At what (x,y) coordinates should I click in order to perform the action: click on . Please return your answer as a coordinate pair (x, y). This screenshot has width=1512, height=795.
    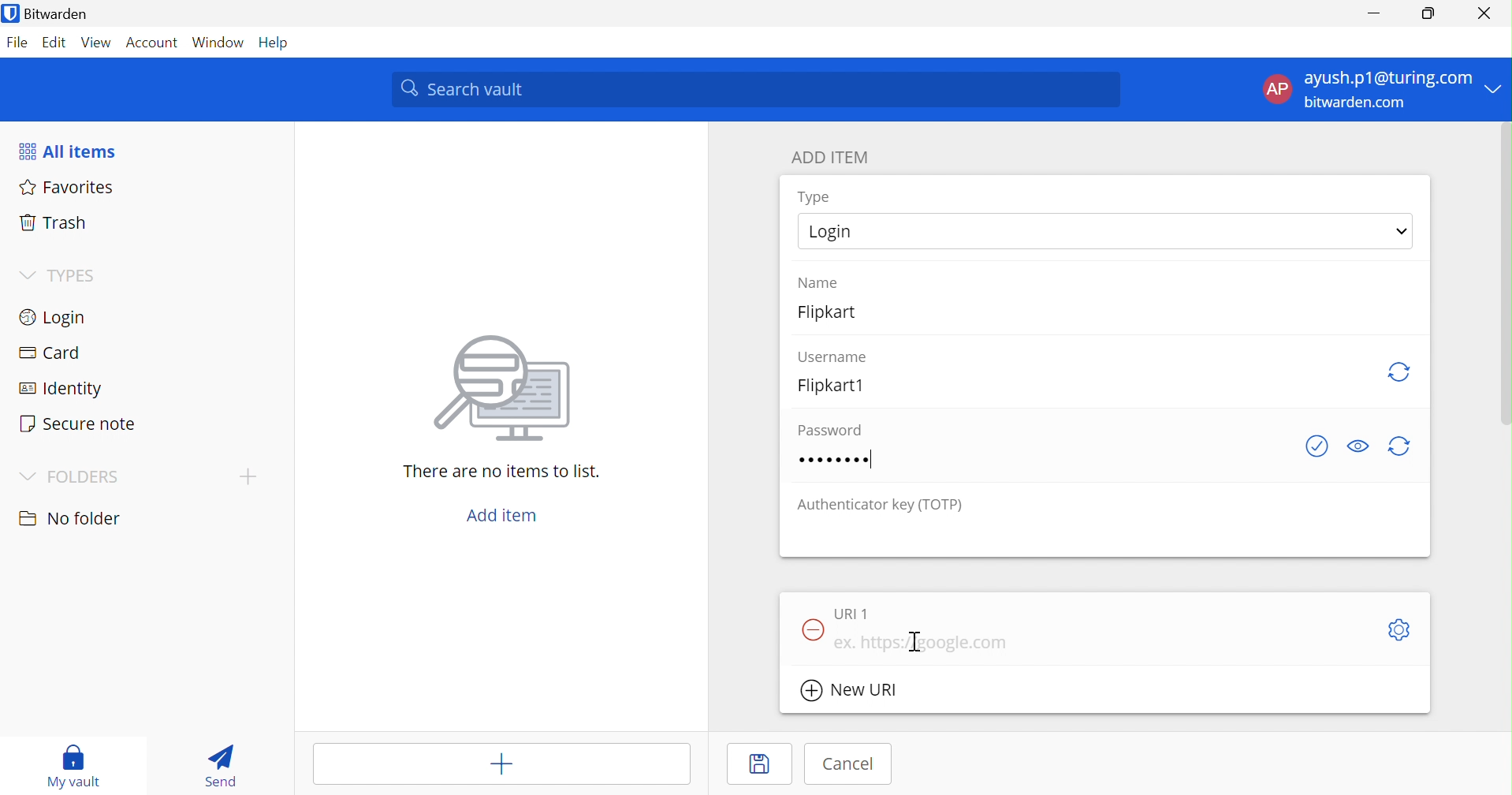
    Looking at the image, I should click on (810, 632).